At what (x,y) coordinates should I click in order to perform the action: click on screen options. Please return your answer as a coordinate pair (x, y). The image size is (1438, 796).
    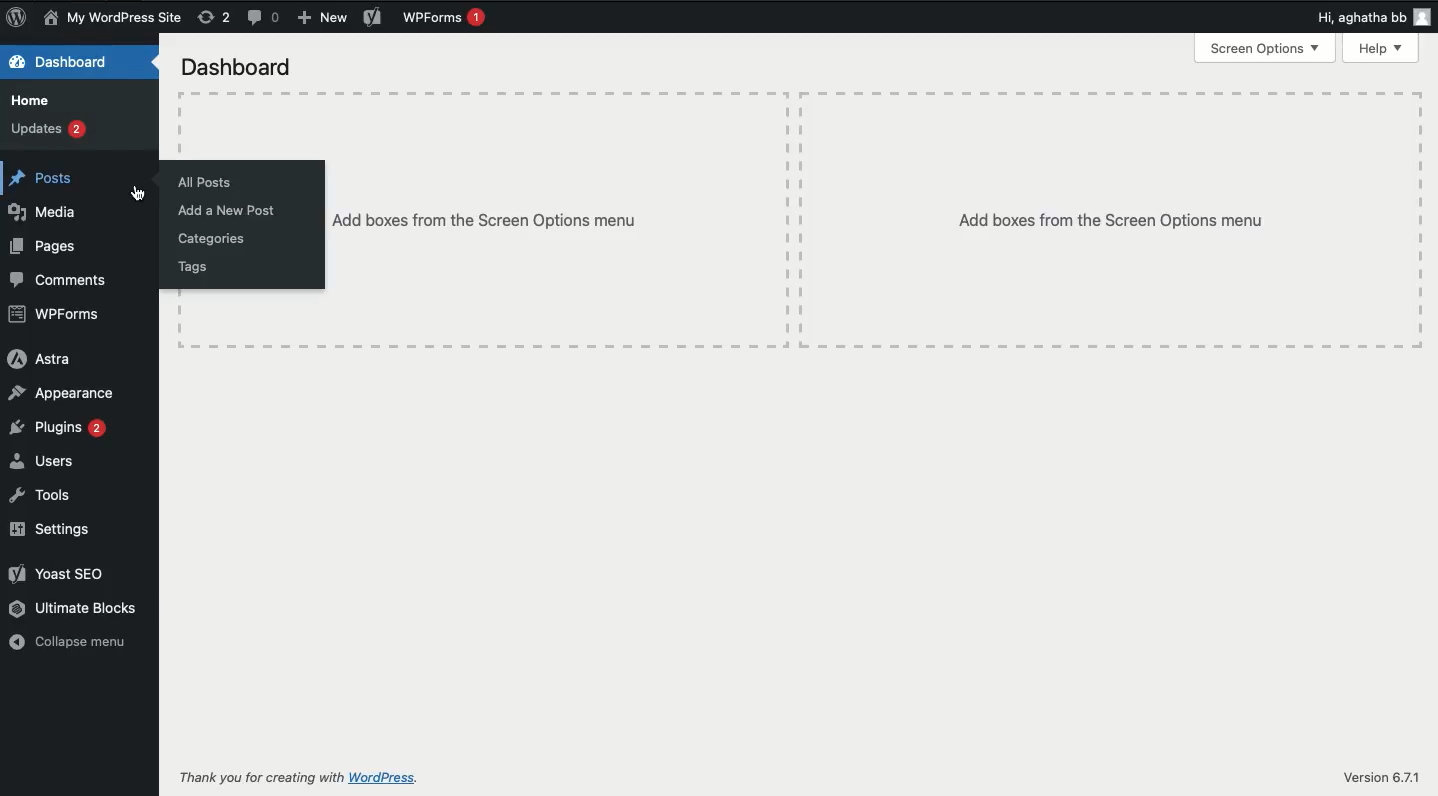
    Looking at the image, I should click on (1266, 48).